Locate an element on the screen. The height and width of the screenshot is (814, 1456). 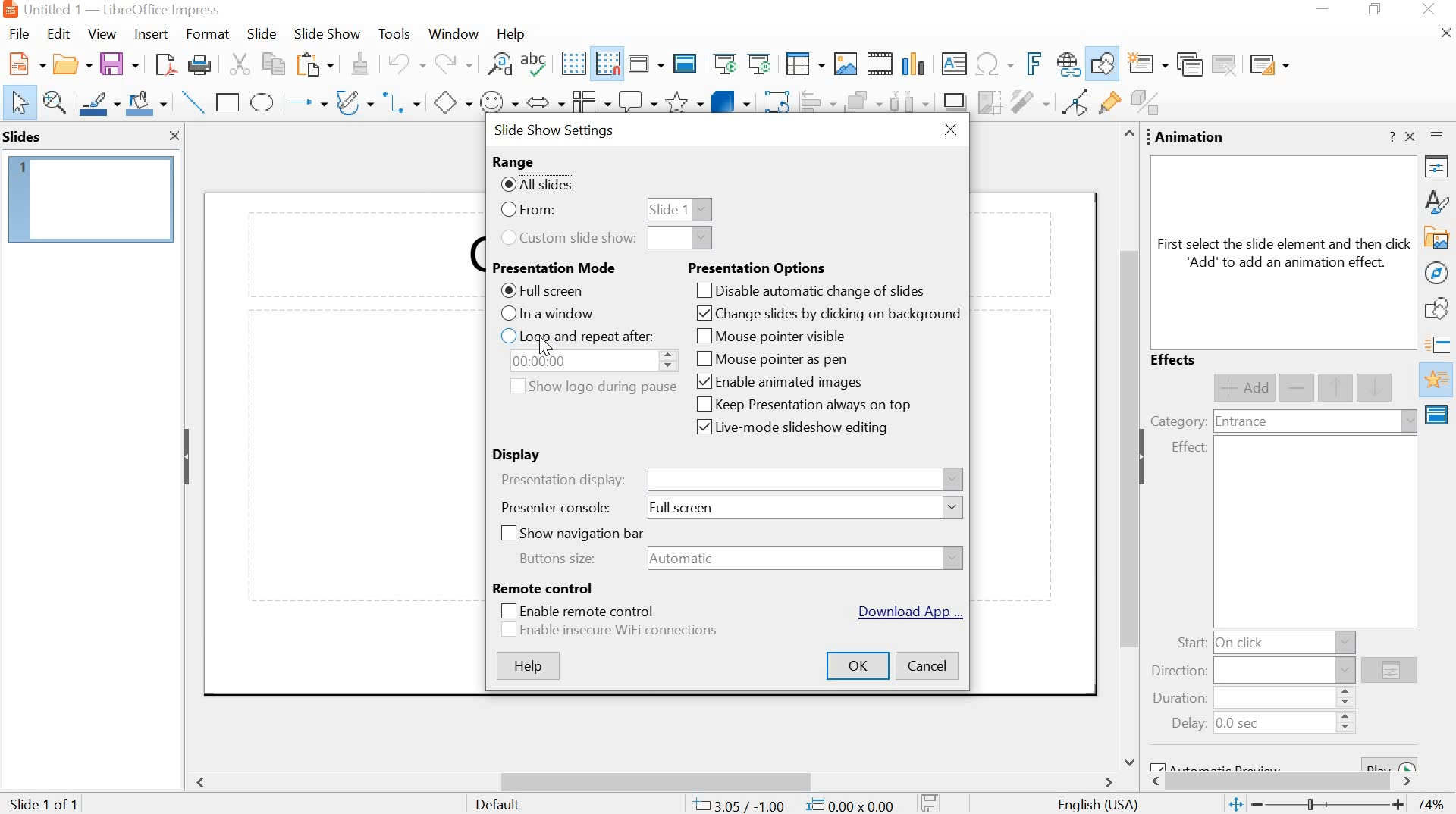
slide layout is located at coordinates (1268, 64).